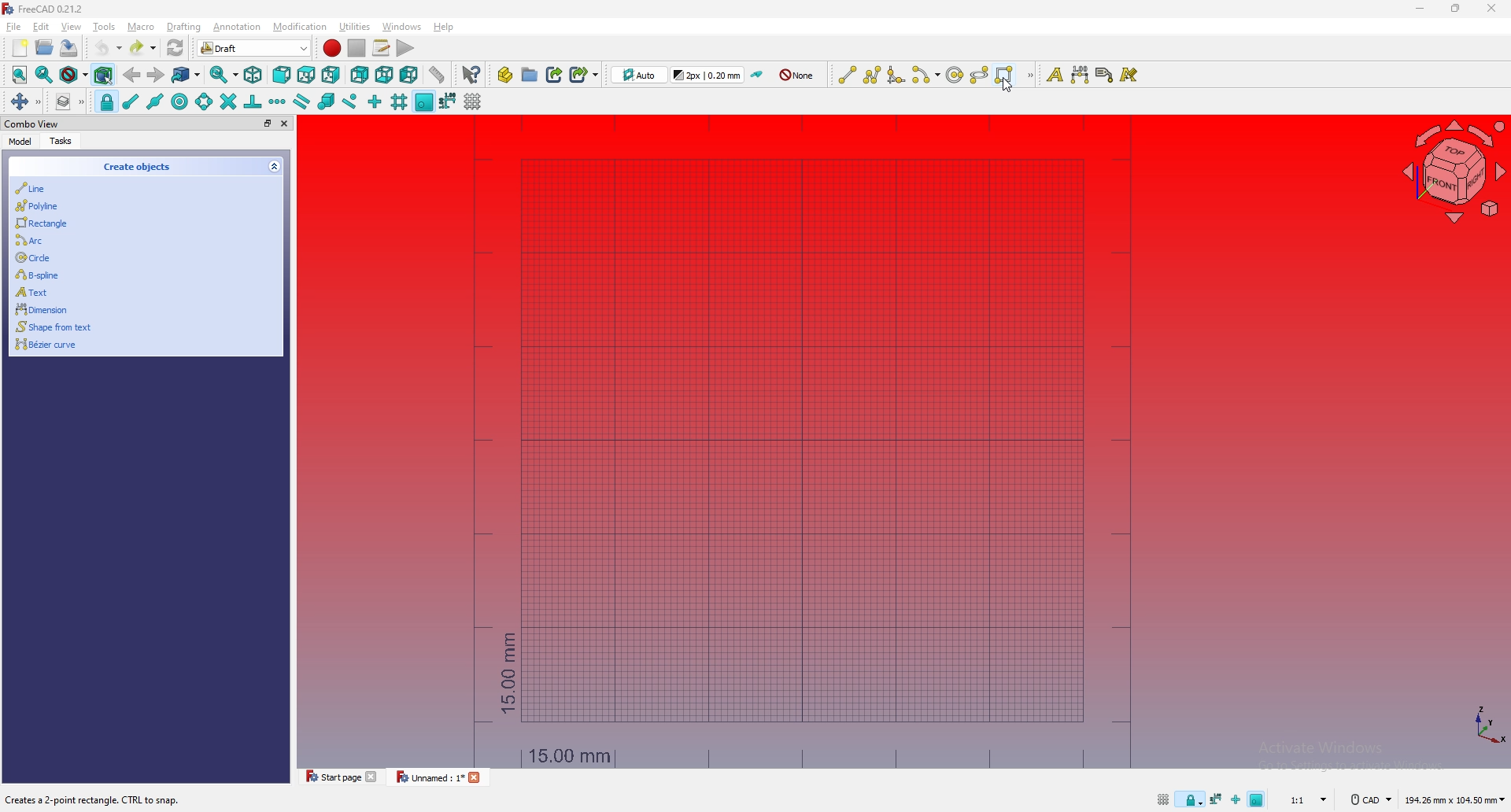  Describe the element at coordinates (140, 240) in the screenshot. I see `arc` at that location.